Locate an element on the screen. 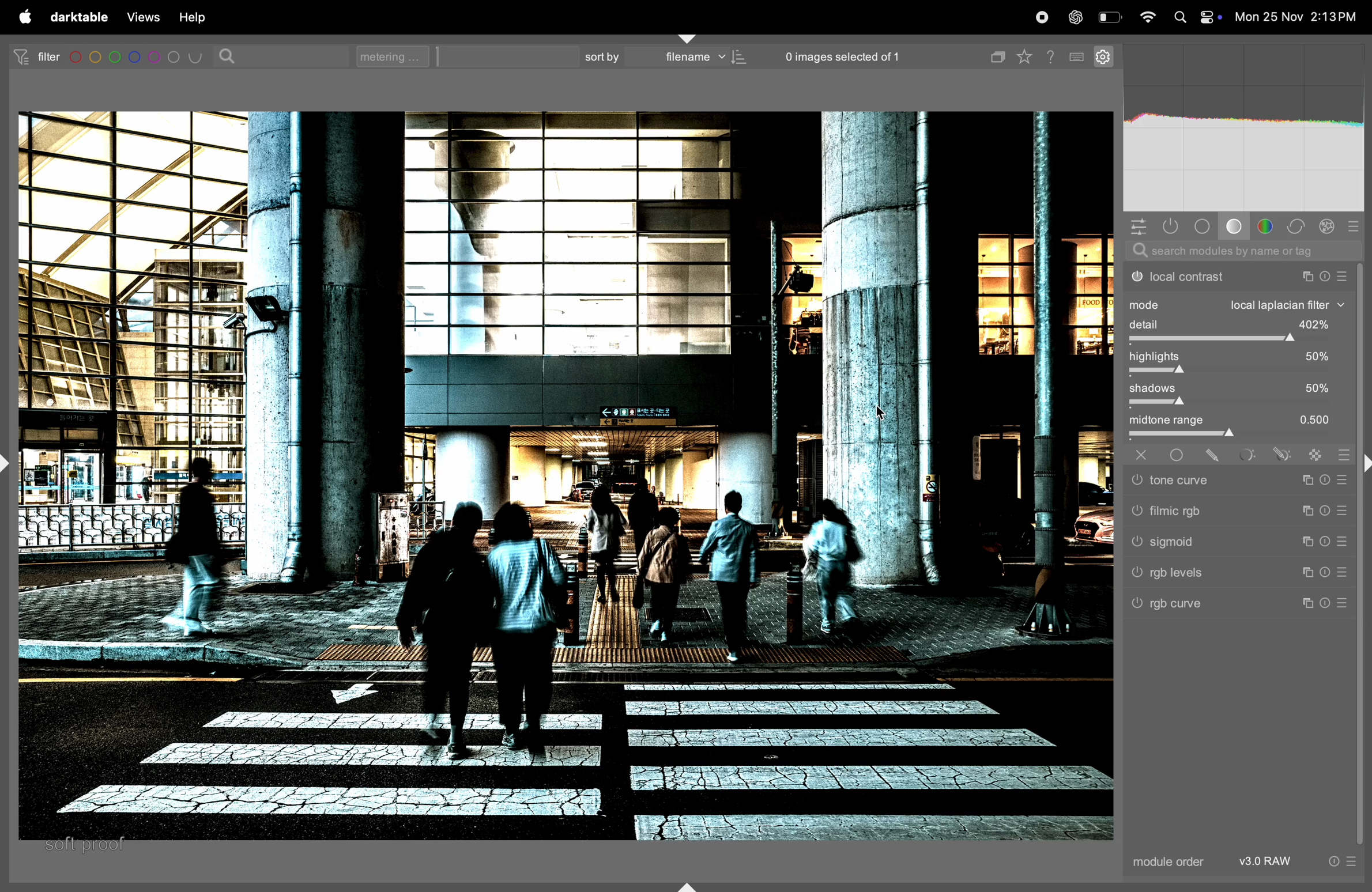  views is located at coordinates (141, 17).